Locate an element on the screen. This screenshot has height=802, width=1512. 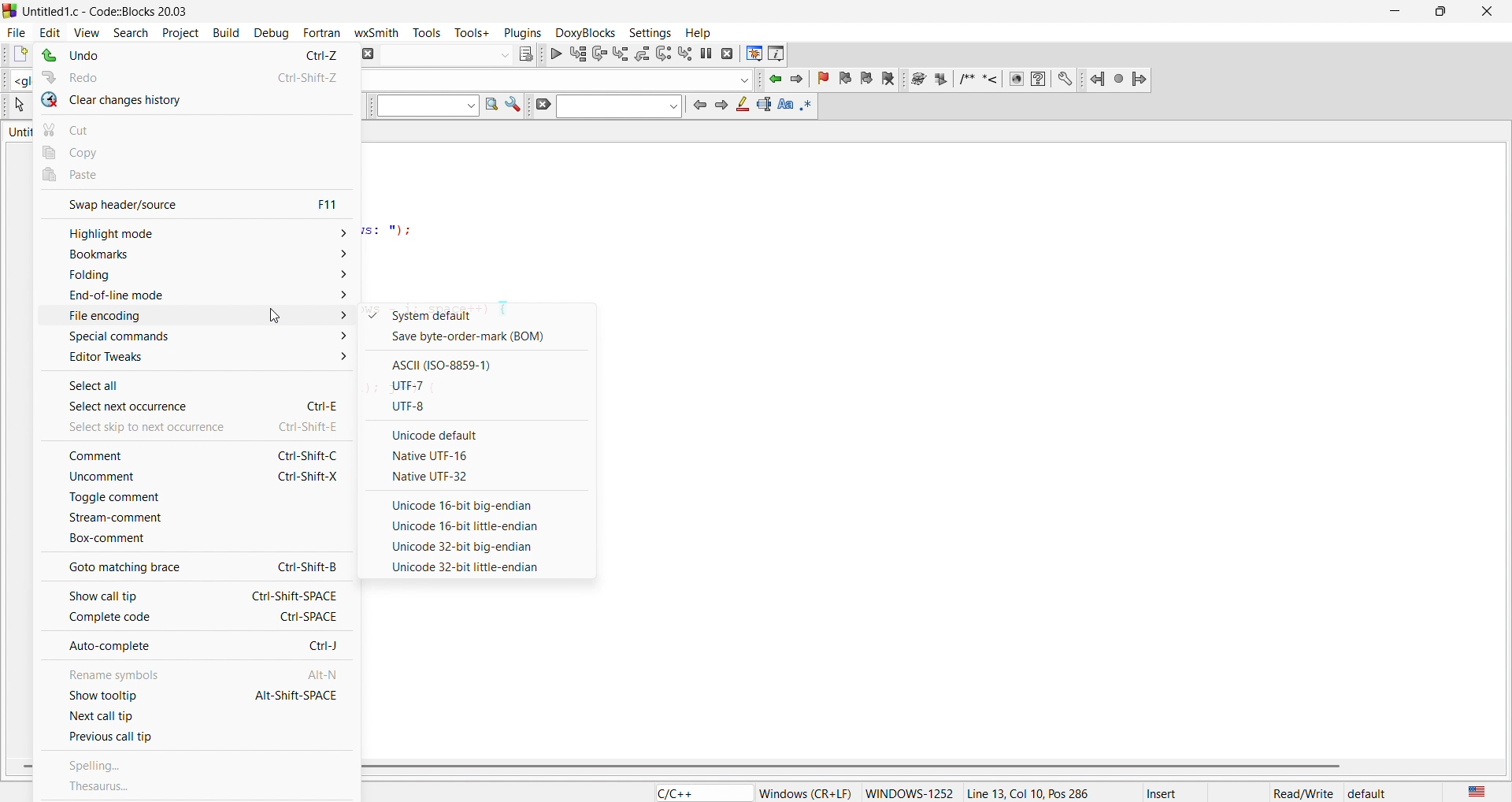
help is located at coordinates (698, 32).